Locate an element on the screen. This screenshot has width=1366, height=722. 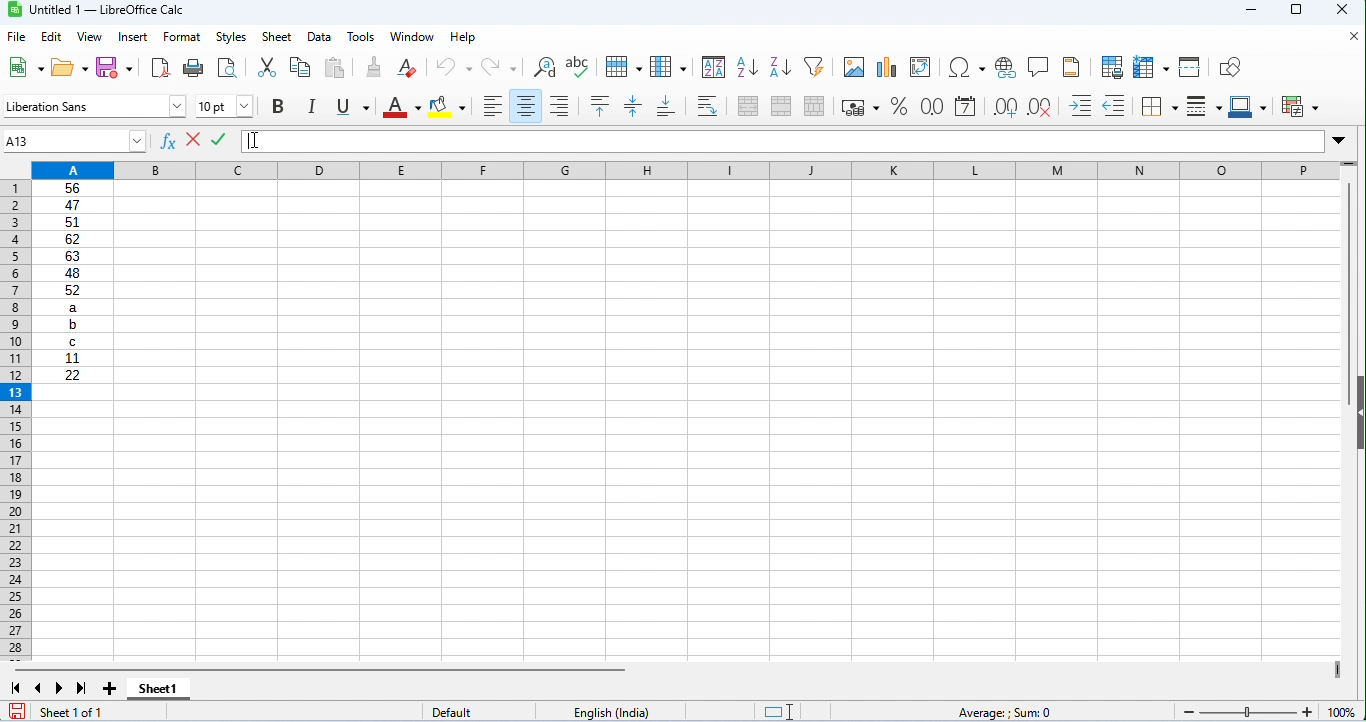
62 is located at coordinates (72, 239).